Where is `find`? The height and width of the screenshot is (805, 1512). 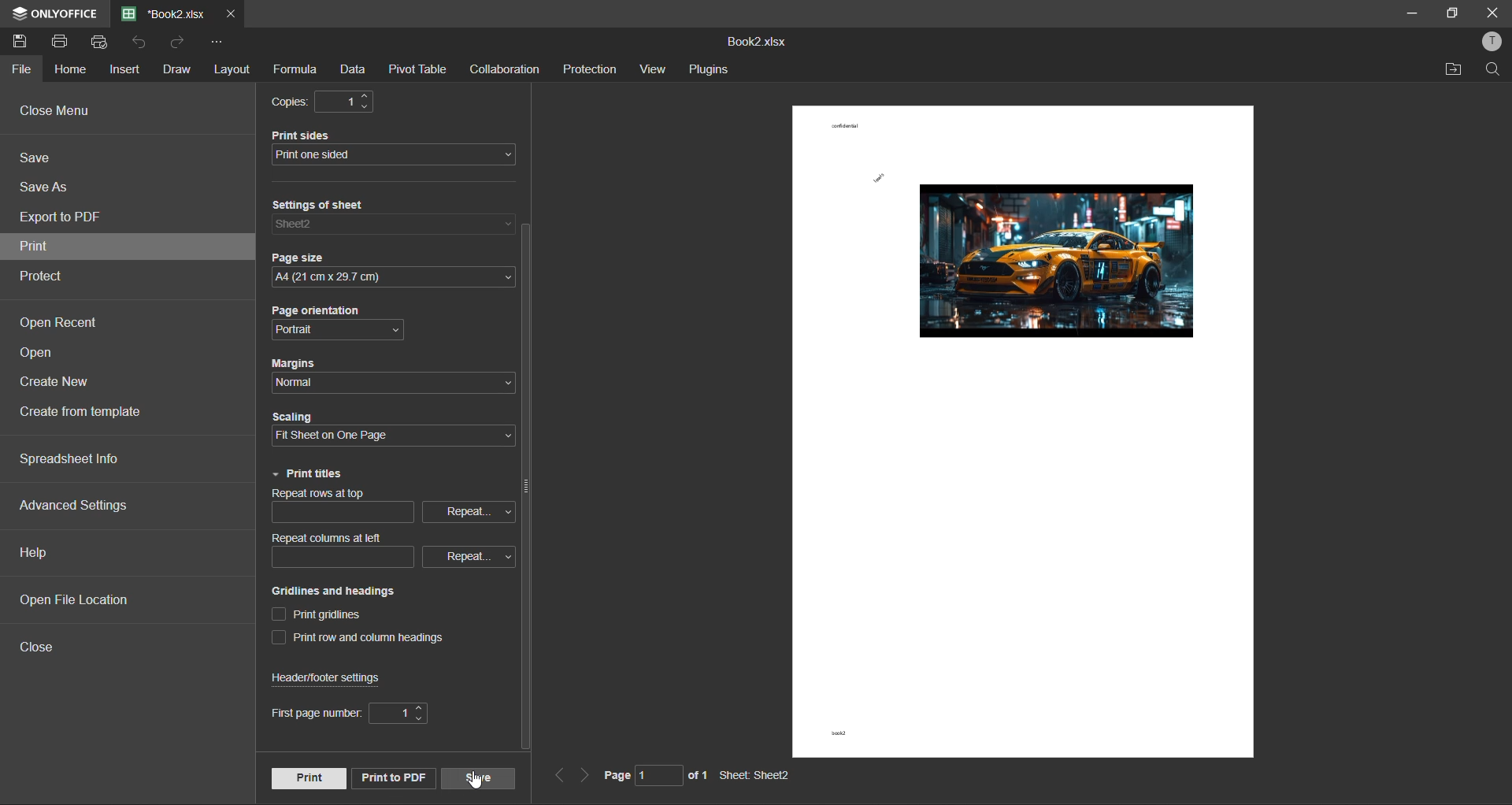
find is located at coordinates (1496, 68).